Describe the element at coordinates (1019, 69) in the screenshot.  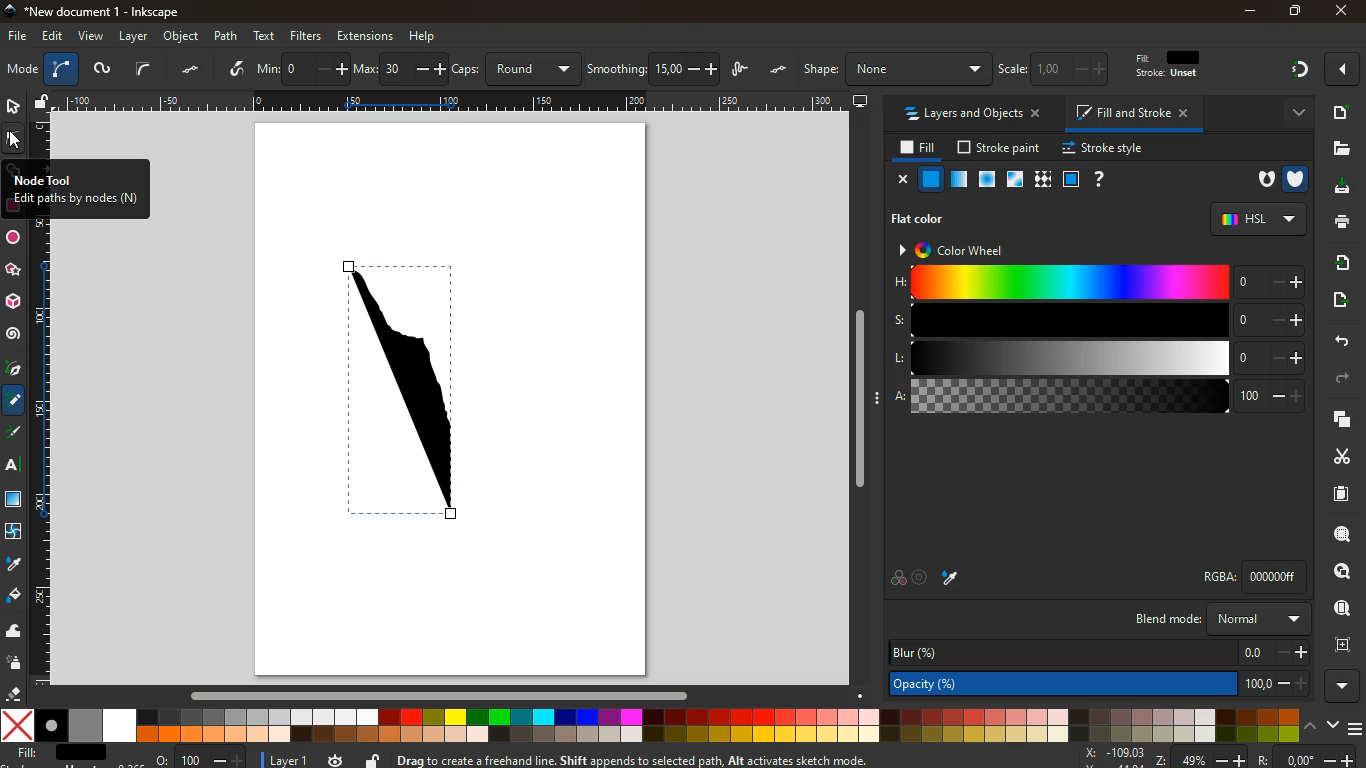
I see `edit` at that location.